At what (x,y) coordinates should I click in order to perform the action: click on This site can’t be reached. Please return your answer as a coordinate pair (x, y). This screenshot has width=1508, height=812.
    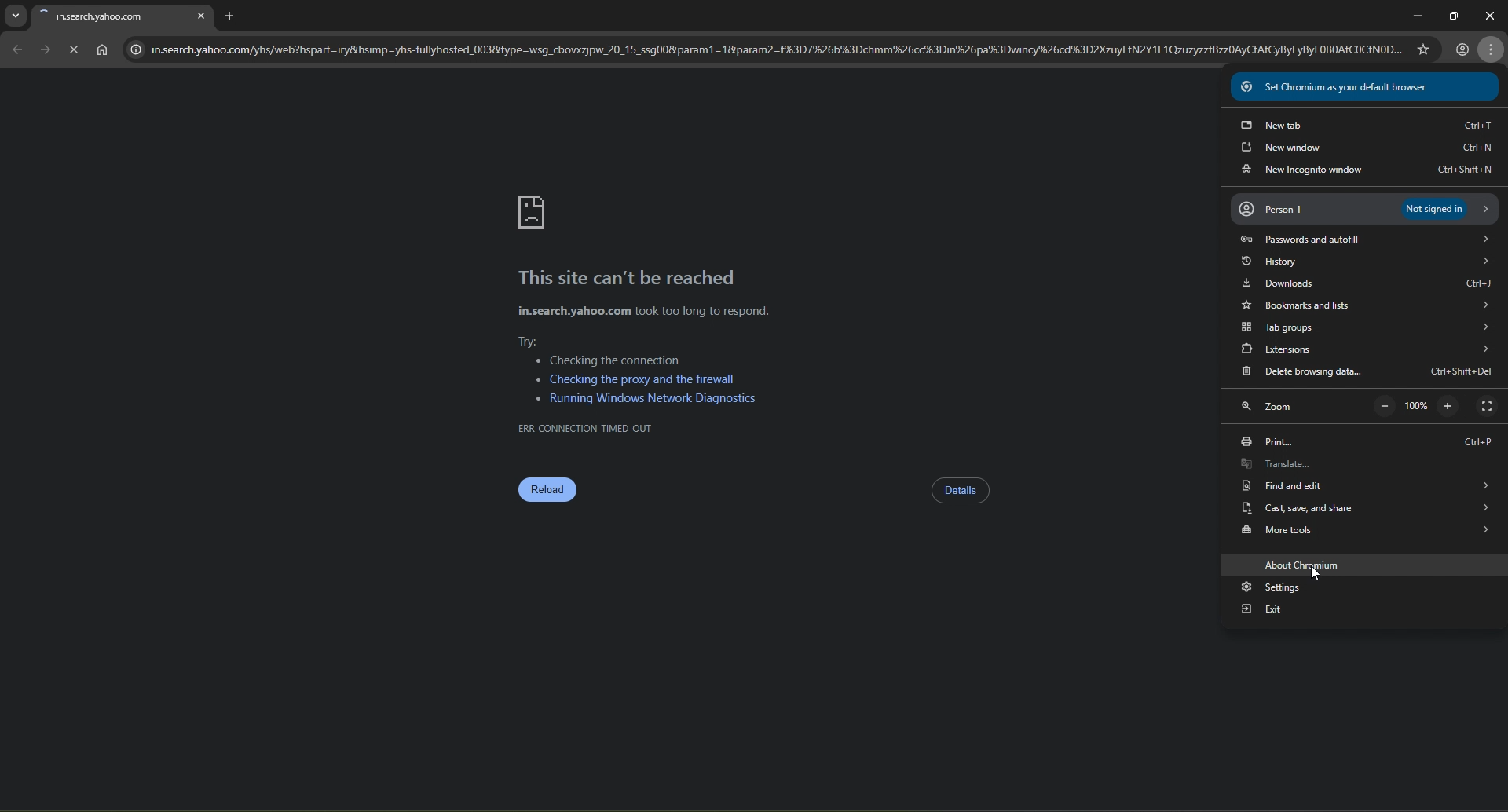
    Looking at the image, I should click on (630, 279).